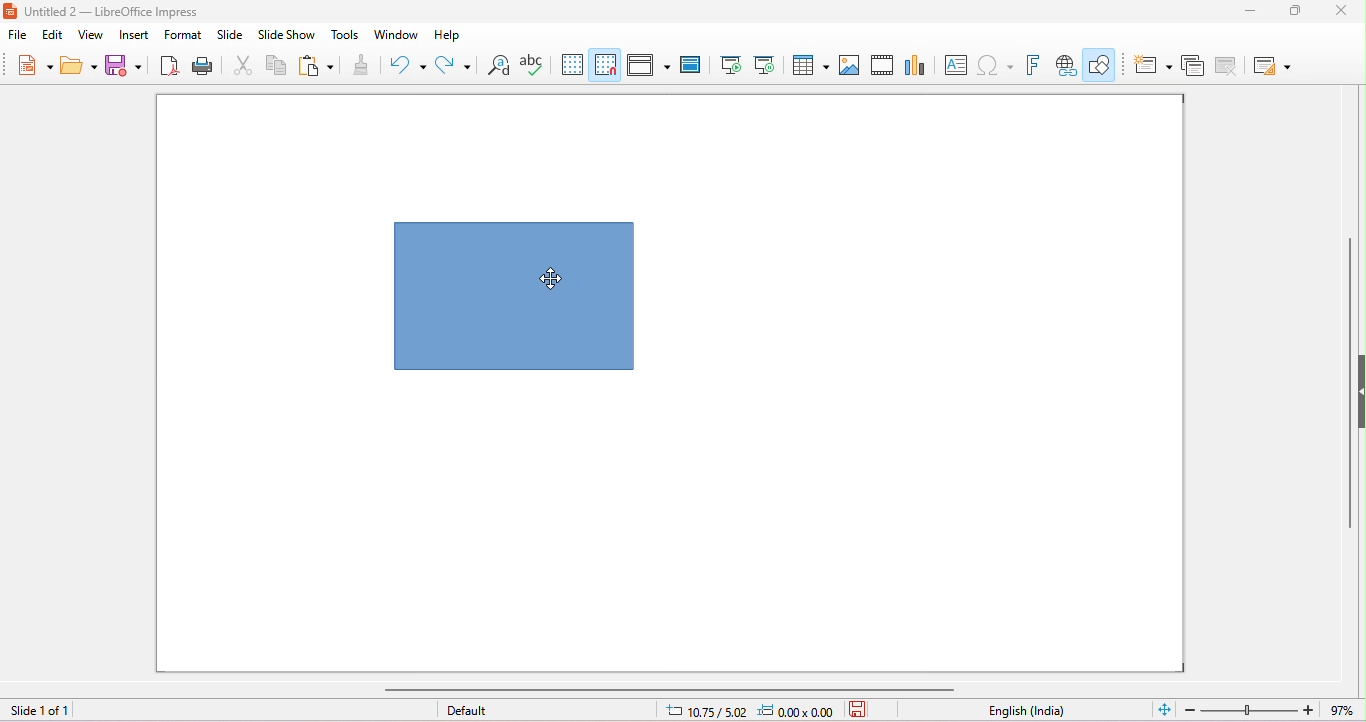 This screenshot has width=1366, height=722. I want to click on start from beginning, so click(730, 64).